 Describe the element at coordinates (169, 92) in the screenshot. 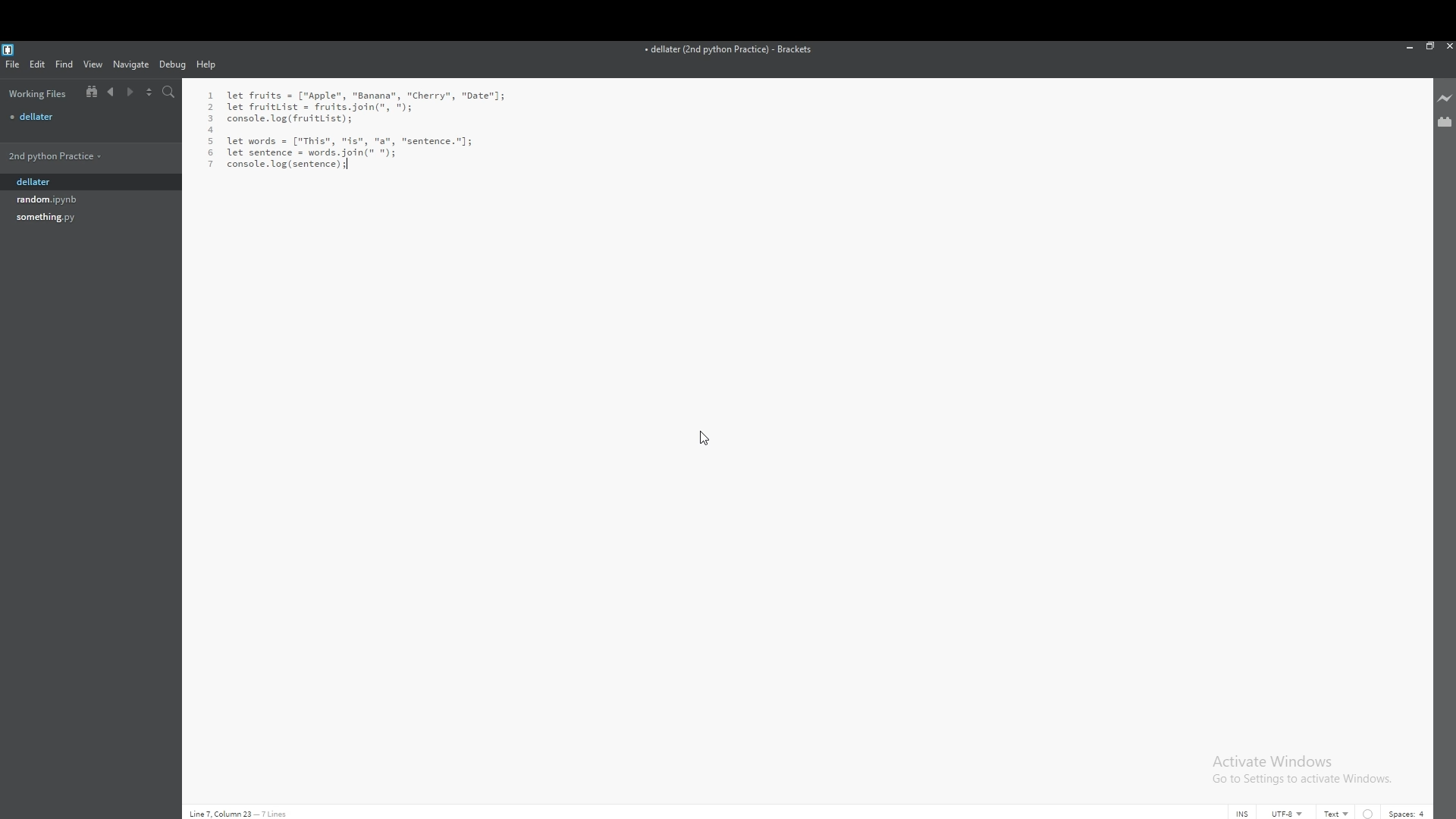

I see `search` at that location.